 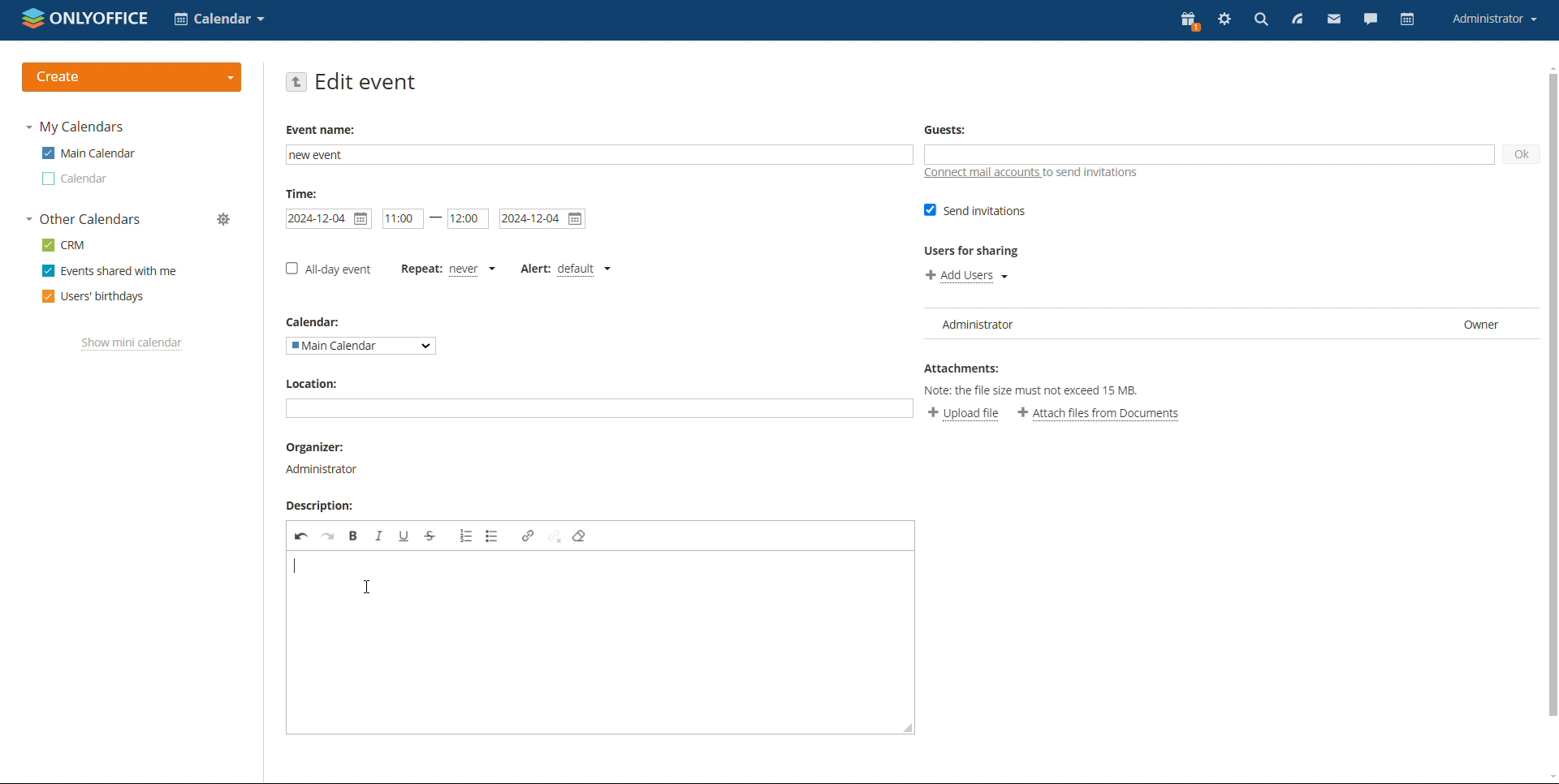 What do you see at coordinates (132, 344) in the screenshot?
I see `show mini calendar` at bounding box center [132, 344].